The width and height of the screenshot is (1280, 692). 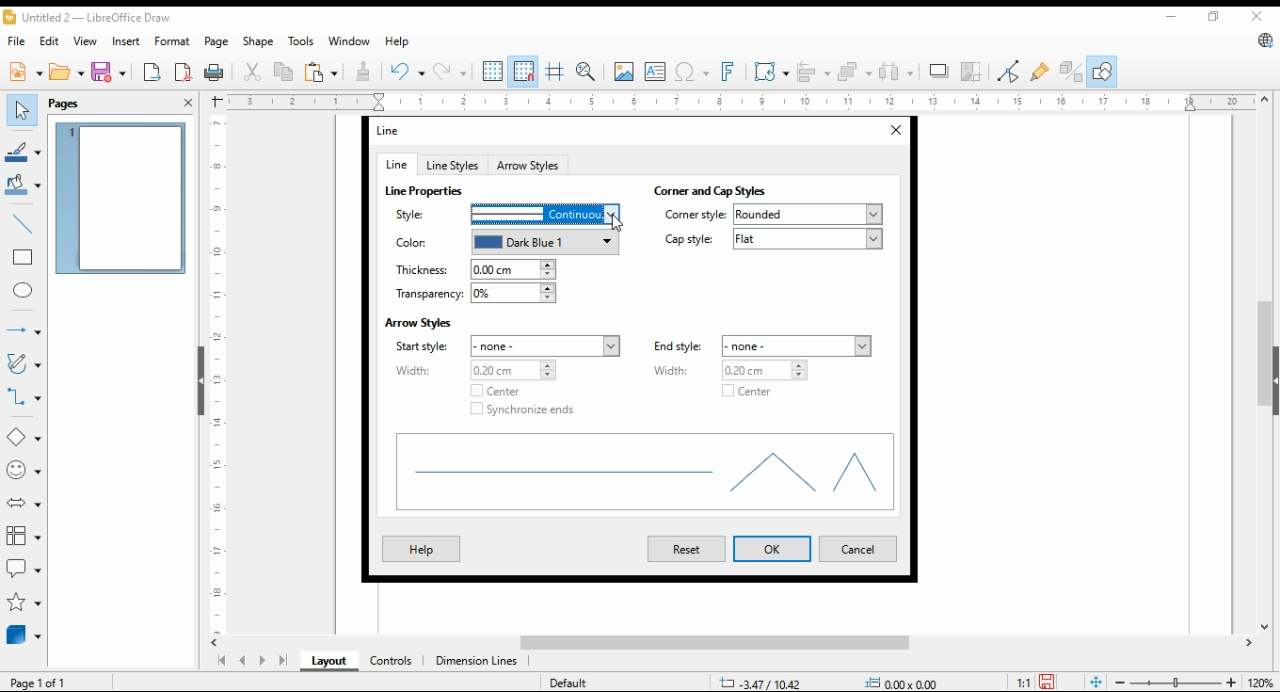 I want to click on layout, so click(x=330, y=661).